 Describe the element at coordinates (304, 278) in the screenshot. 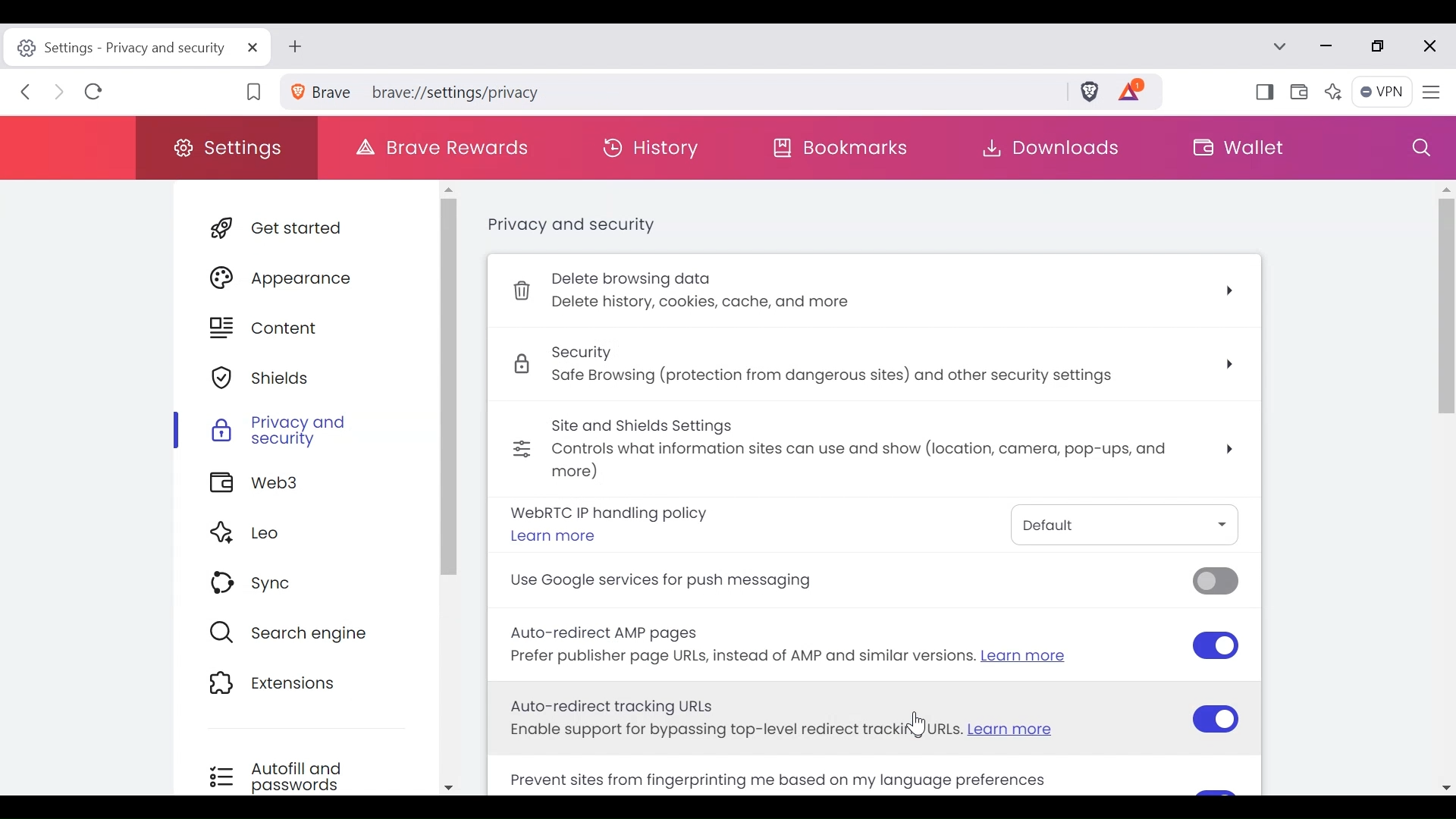

I see `Appearance` at that location.